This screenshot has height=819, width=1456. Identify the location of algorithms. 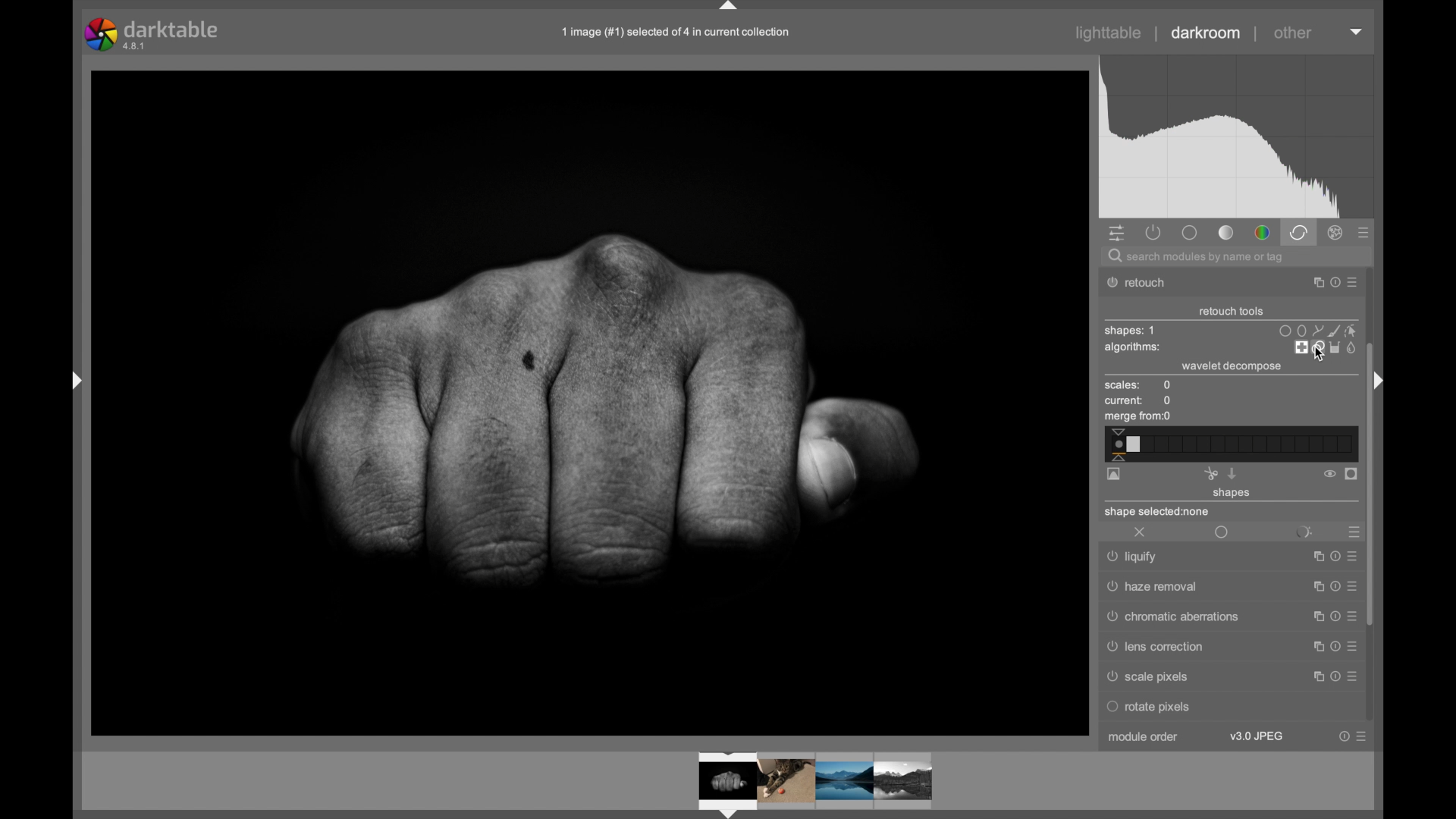
(1134, 349).